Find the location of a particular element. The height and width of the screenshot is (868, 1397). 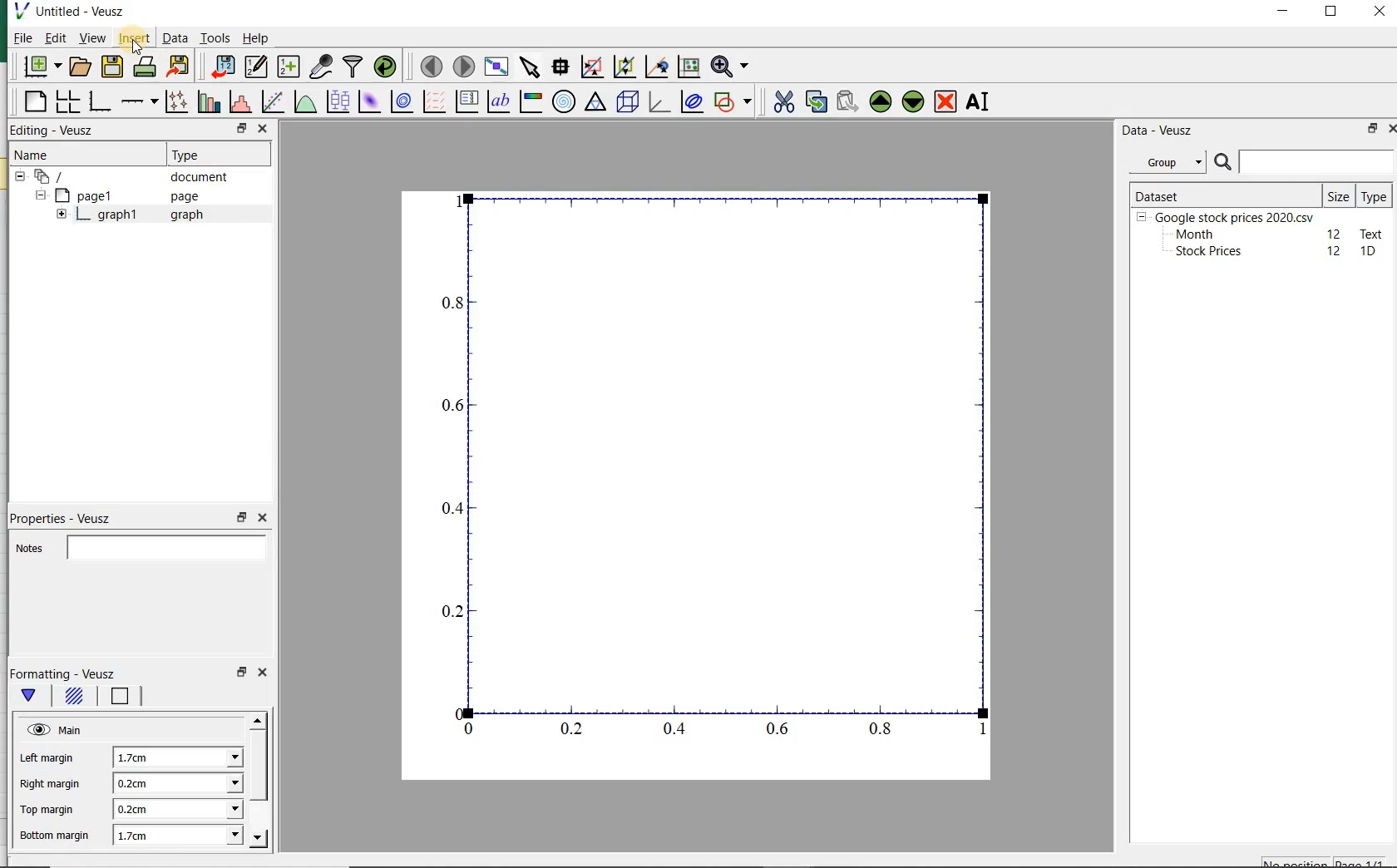

Name is located at coordinates (42, 155).